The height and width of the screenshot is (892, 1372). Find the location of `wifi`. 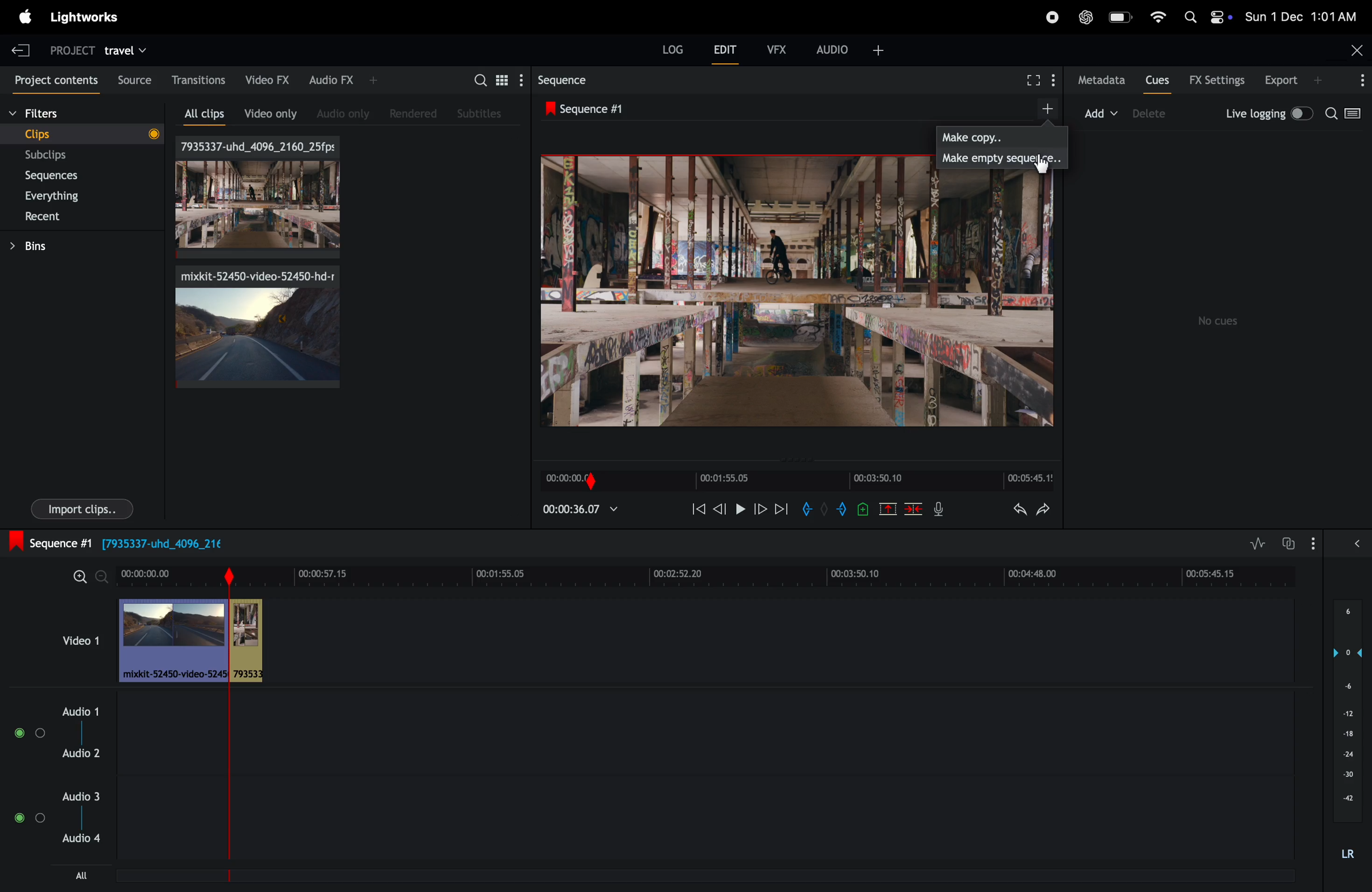

wifi is located at coordinates (1155, 16).